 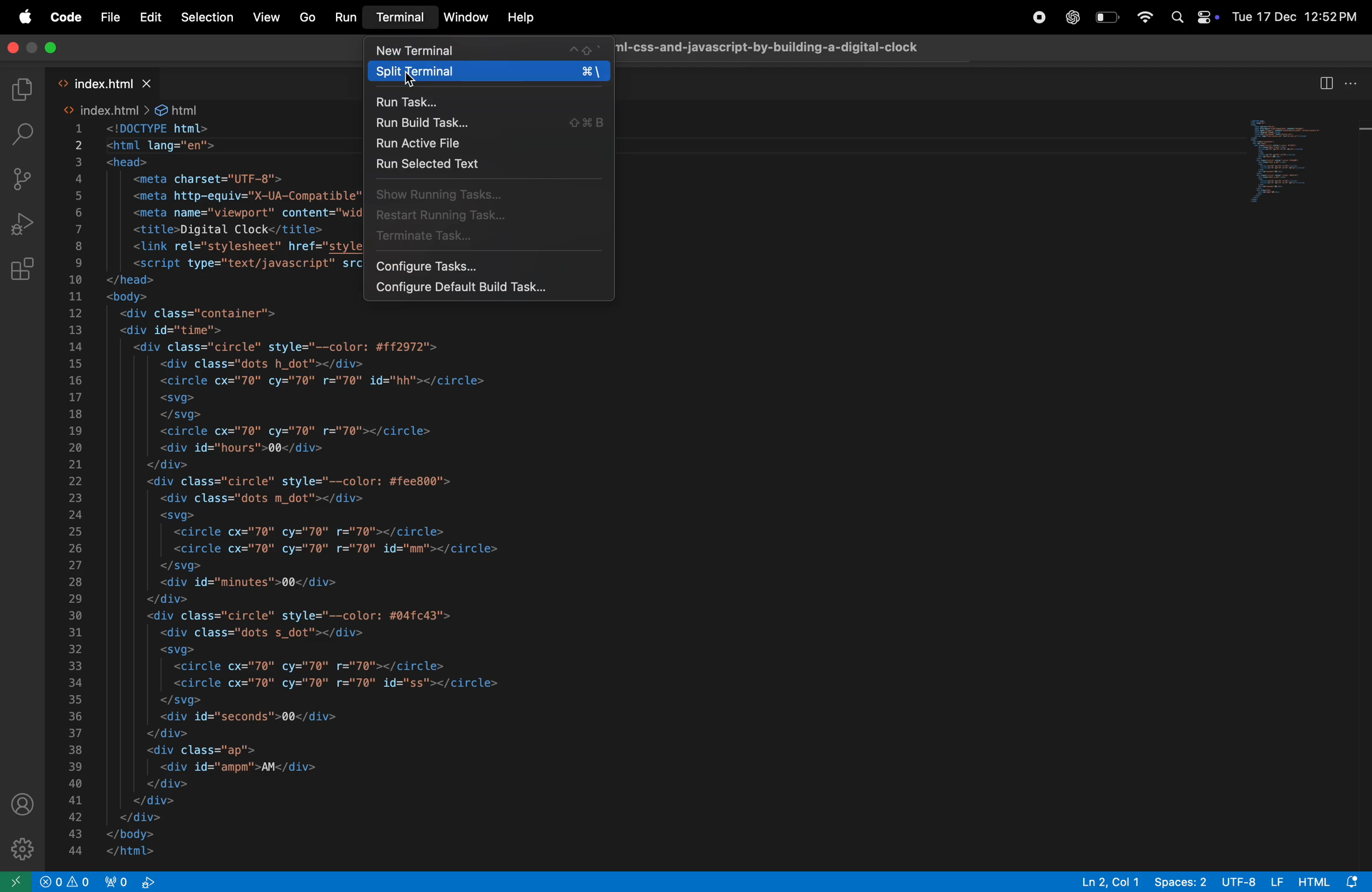 I want to click on search, so click(x=24, y=134).